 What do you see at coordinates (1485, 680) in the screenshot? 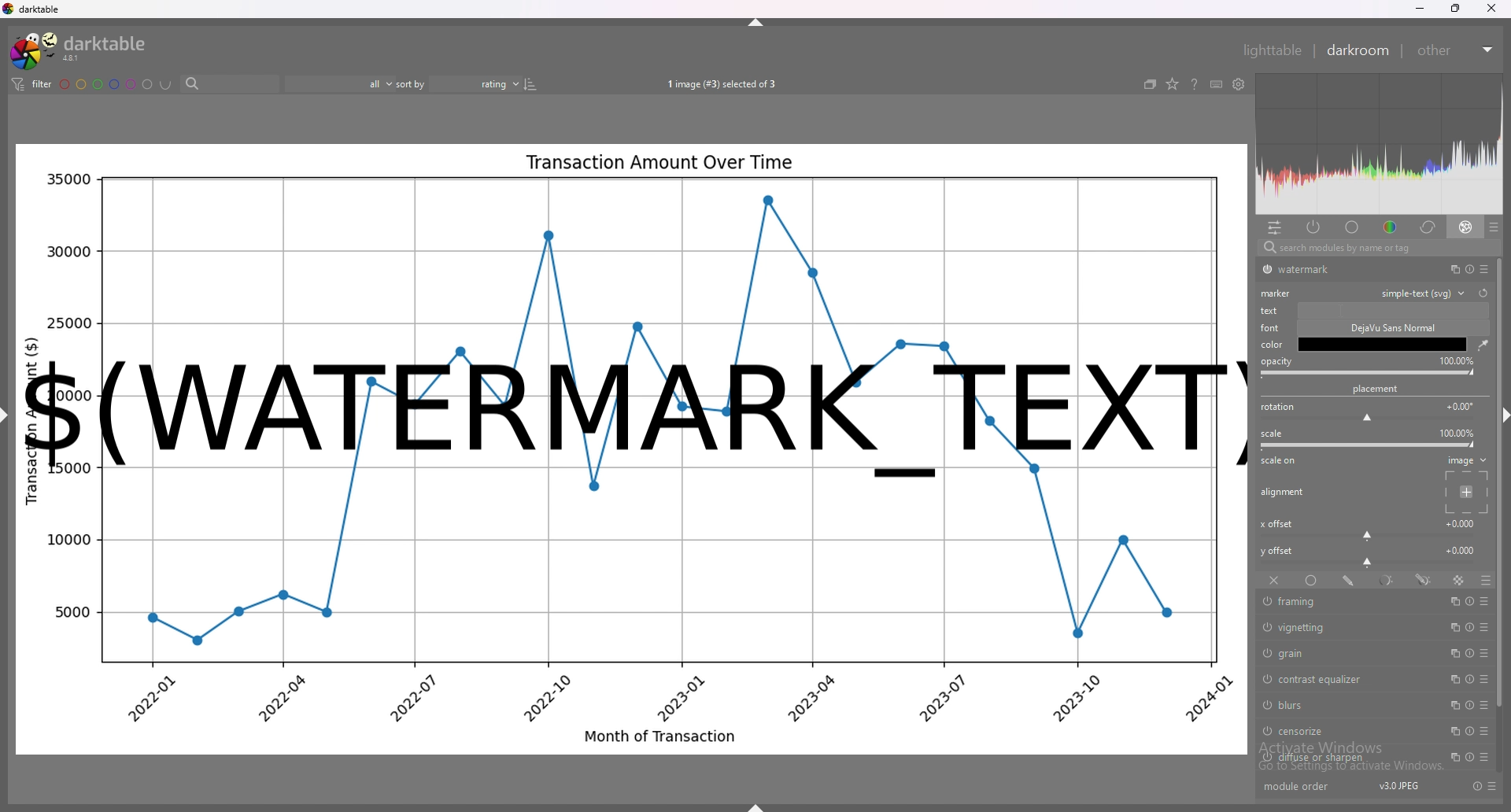
I see `presets` at bounding box center [1485, 680].